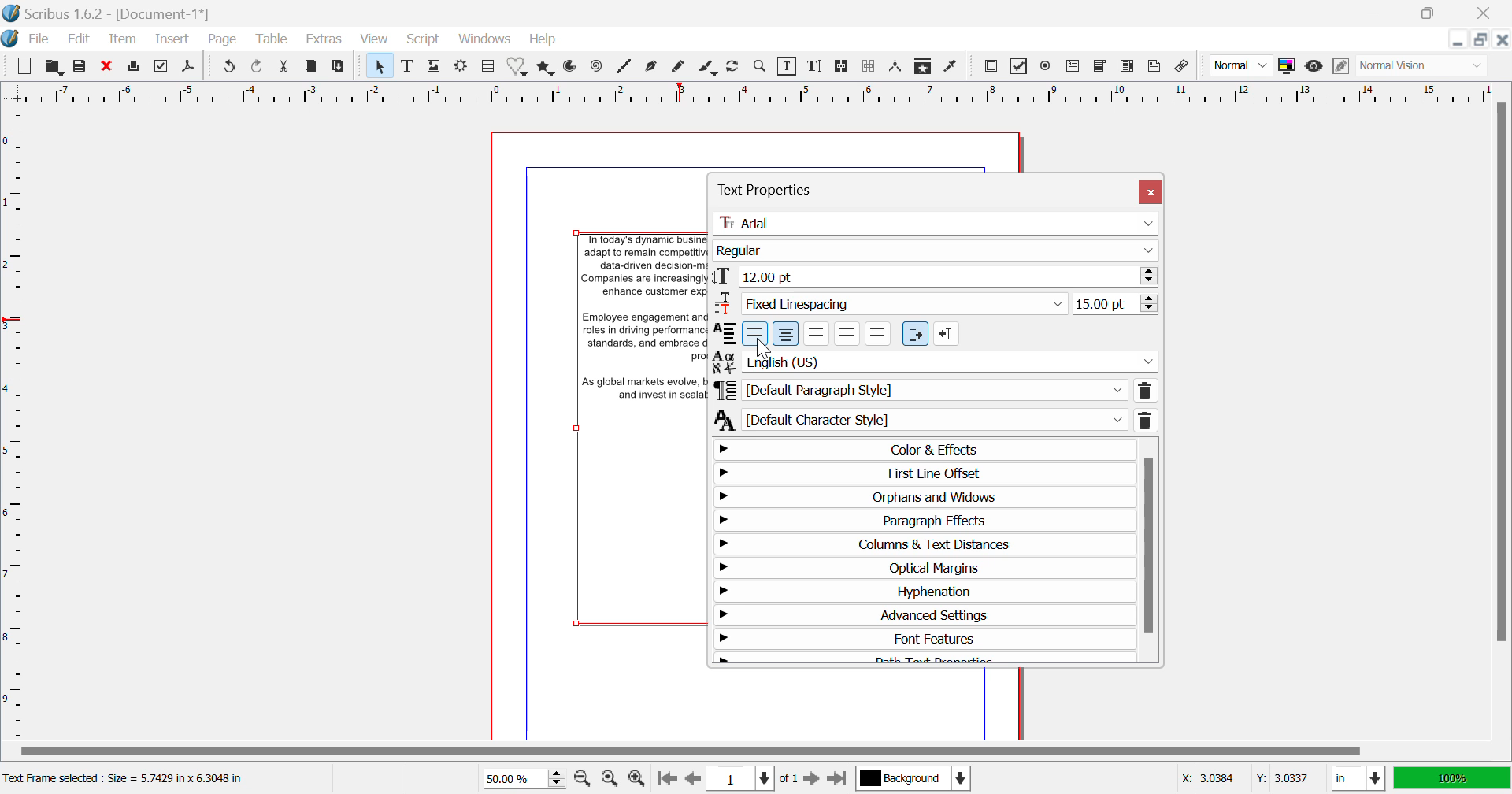  Describe the element at coordinates (55, 65) in the screenshot. I see `Open to` at that location.